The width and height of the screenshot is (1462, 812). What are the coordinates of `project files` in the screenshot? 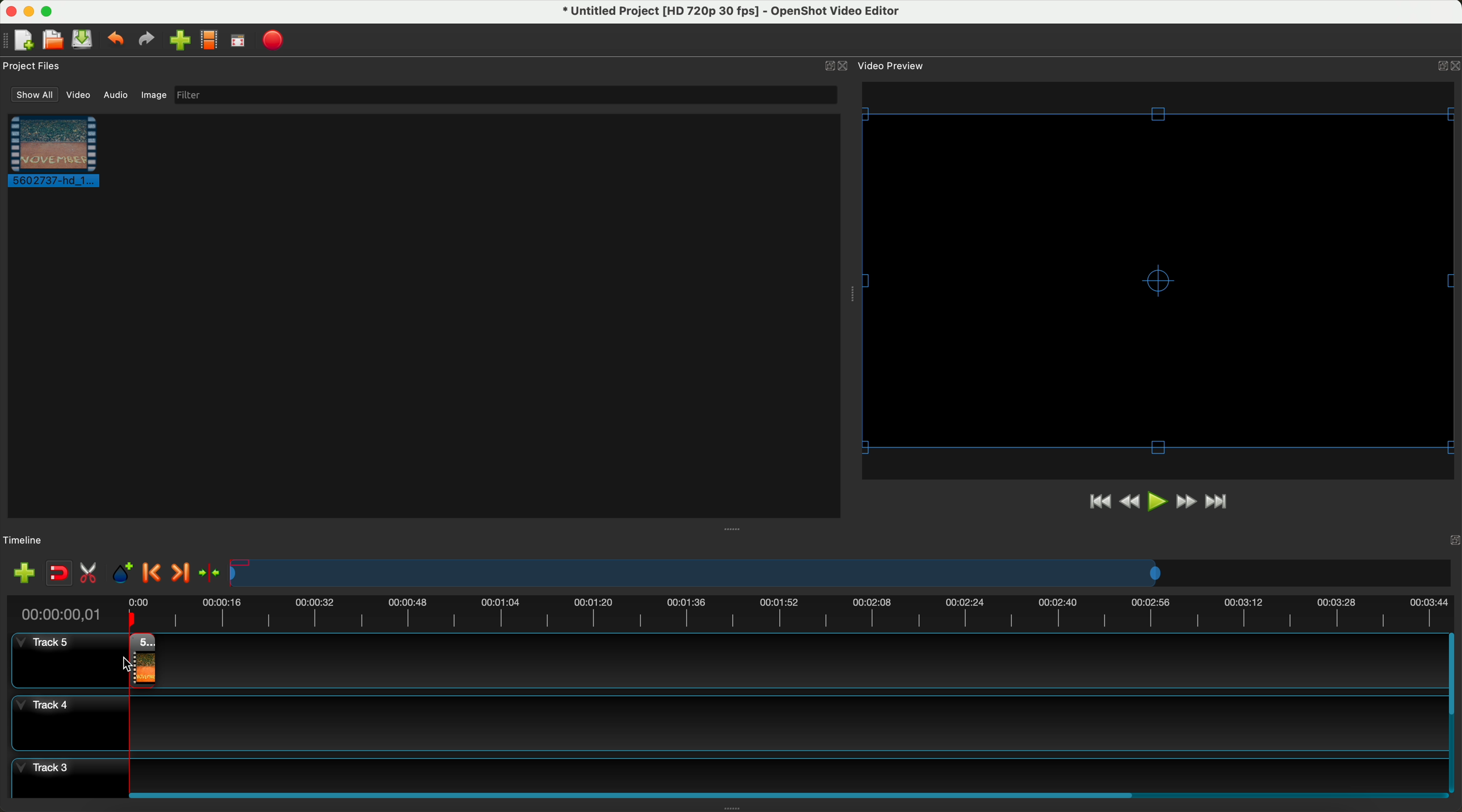 It's located at (33, 65).